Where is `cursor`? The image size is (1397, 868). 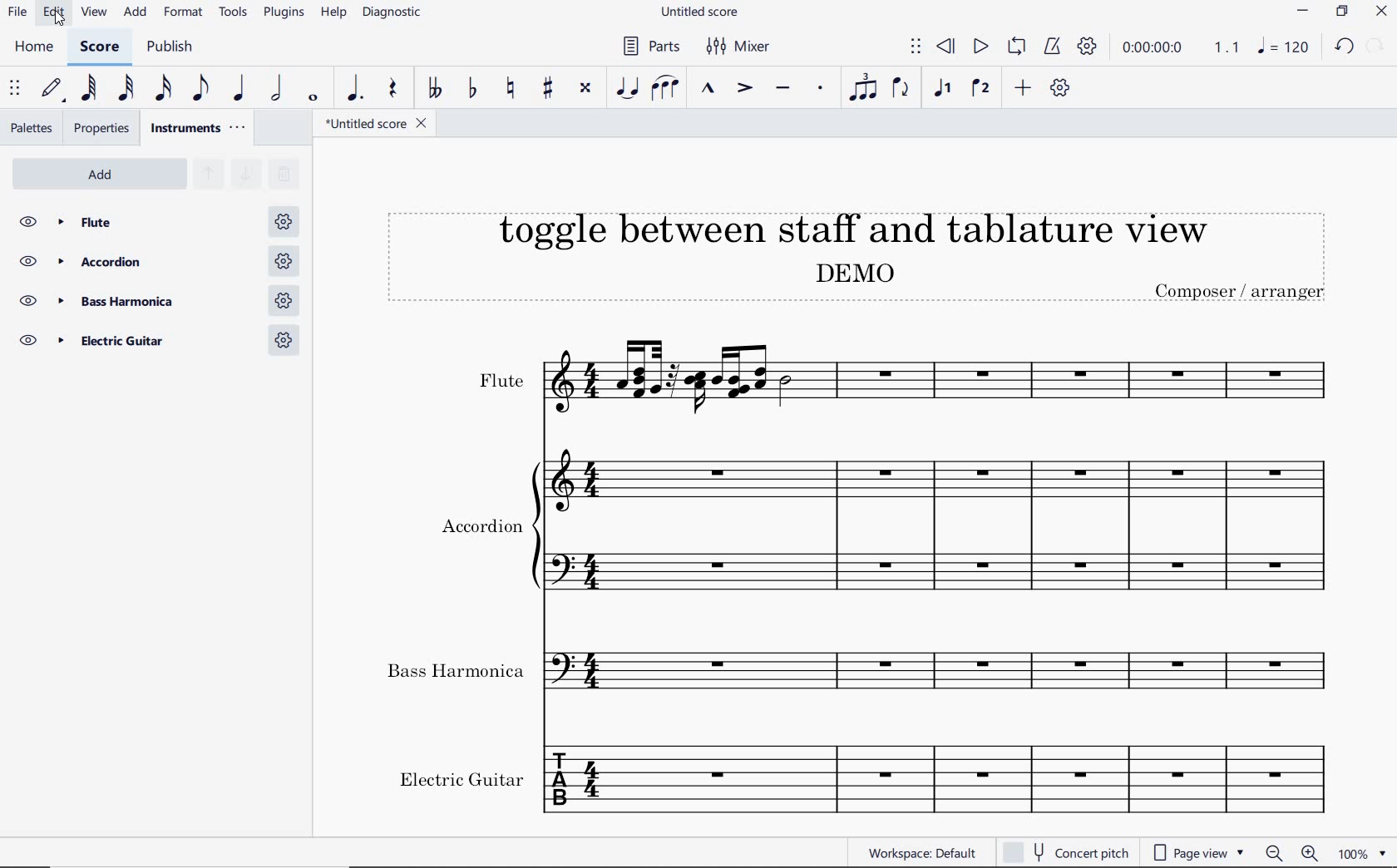
cursor is located at coordinates (59, 23).